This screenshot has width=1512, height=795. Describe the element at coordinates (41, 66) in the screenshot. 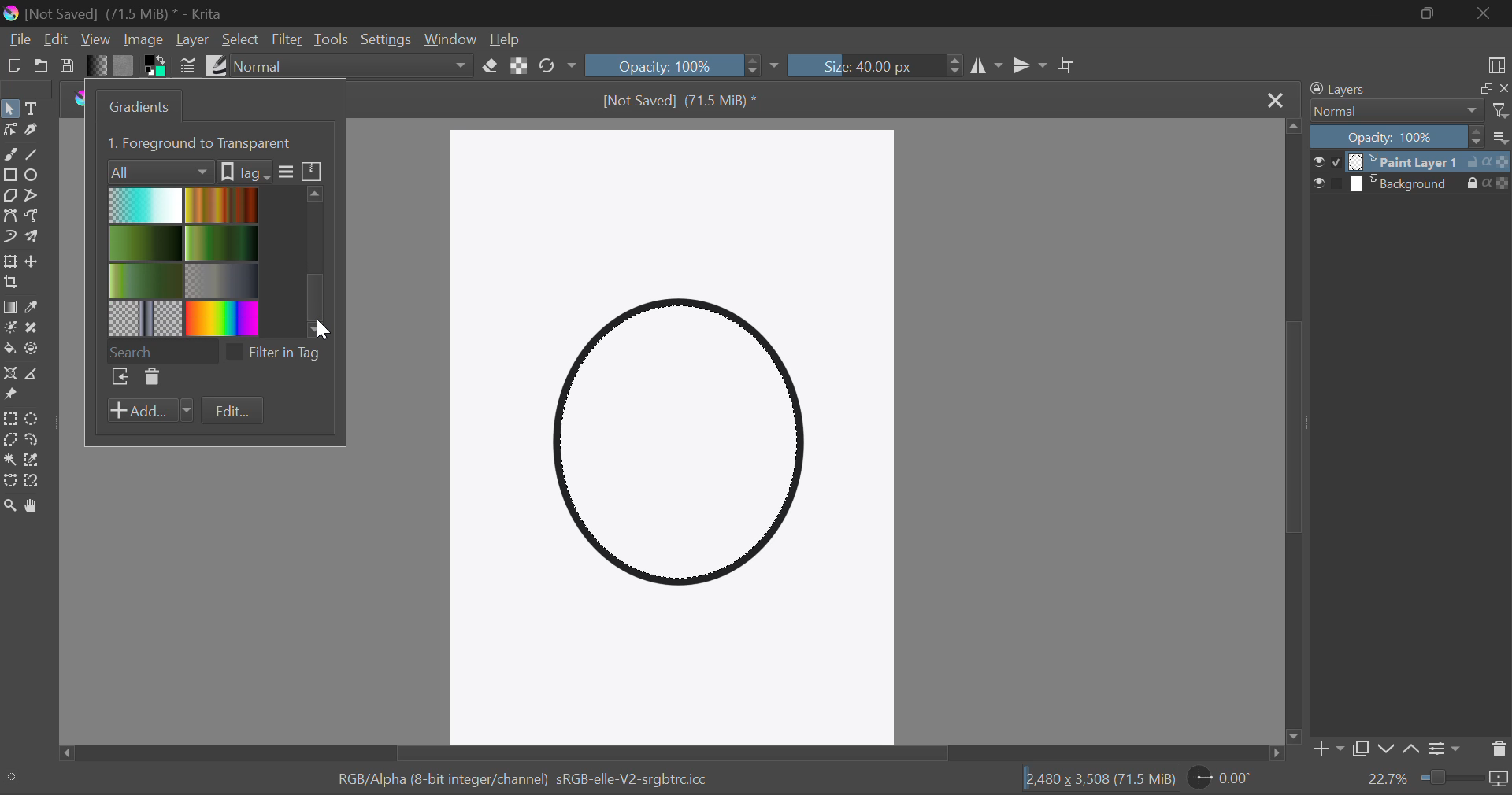

I see `Open` at that location.